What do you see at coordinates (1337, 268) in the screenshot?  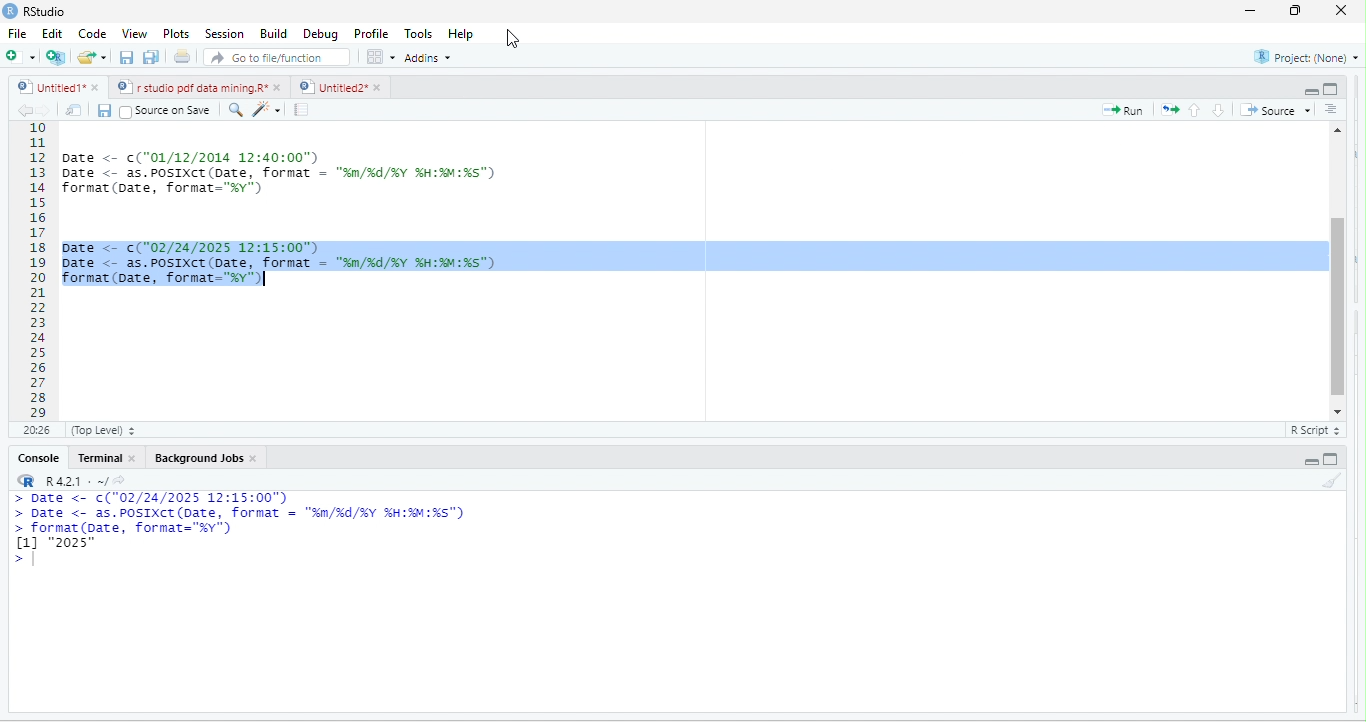 I see `vertical scroll bar` at bounding box center [1337, 268].